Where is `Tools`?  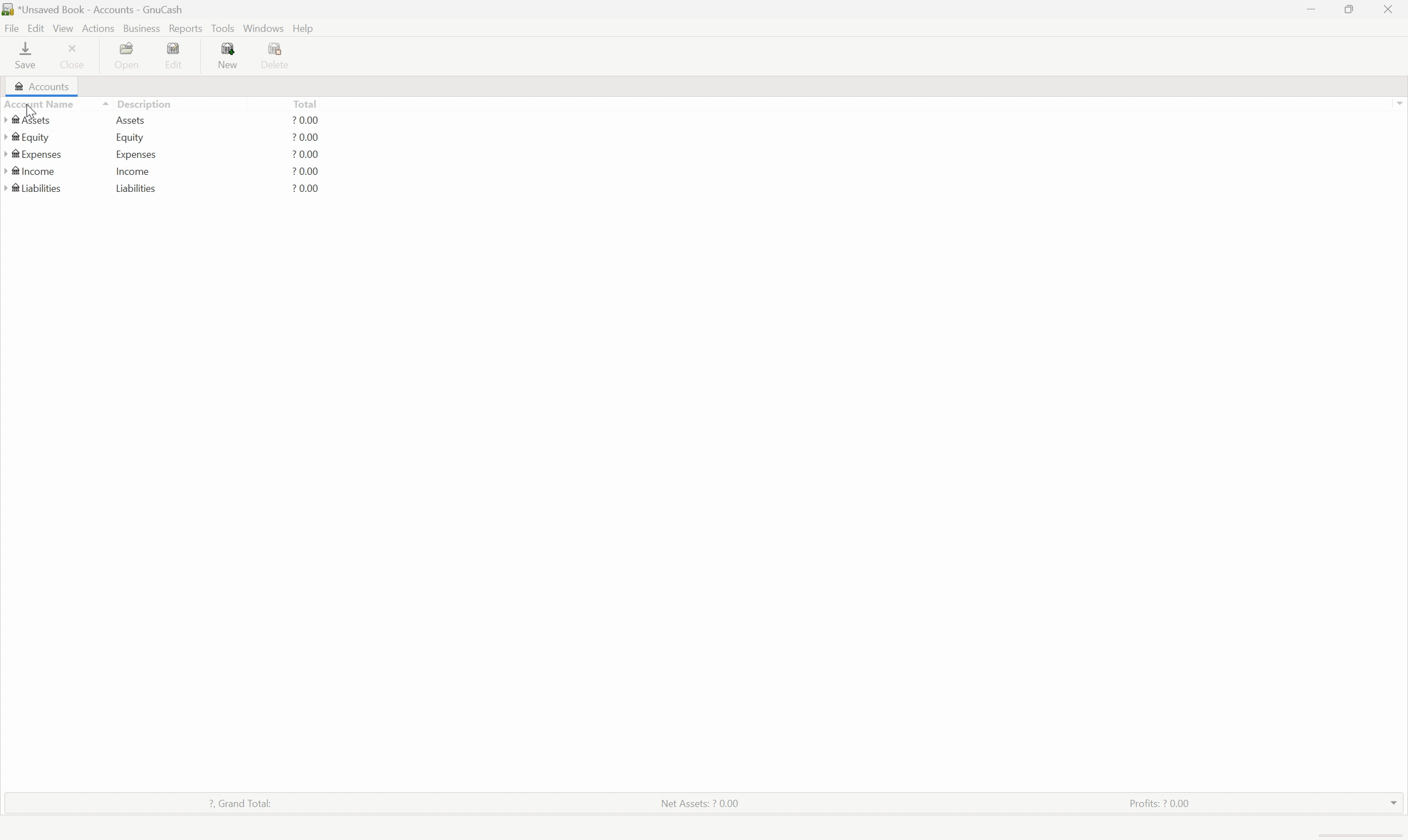
Tools is located at coordinates (222, 28).